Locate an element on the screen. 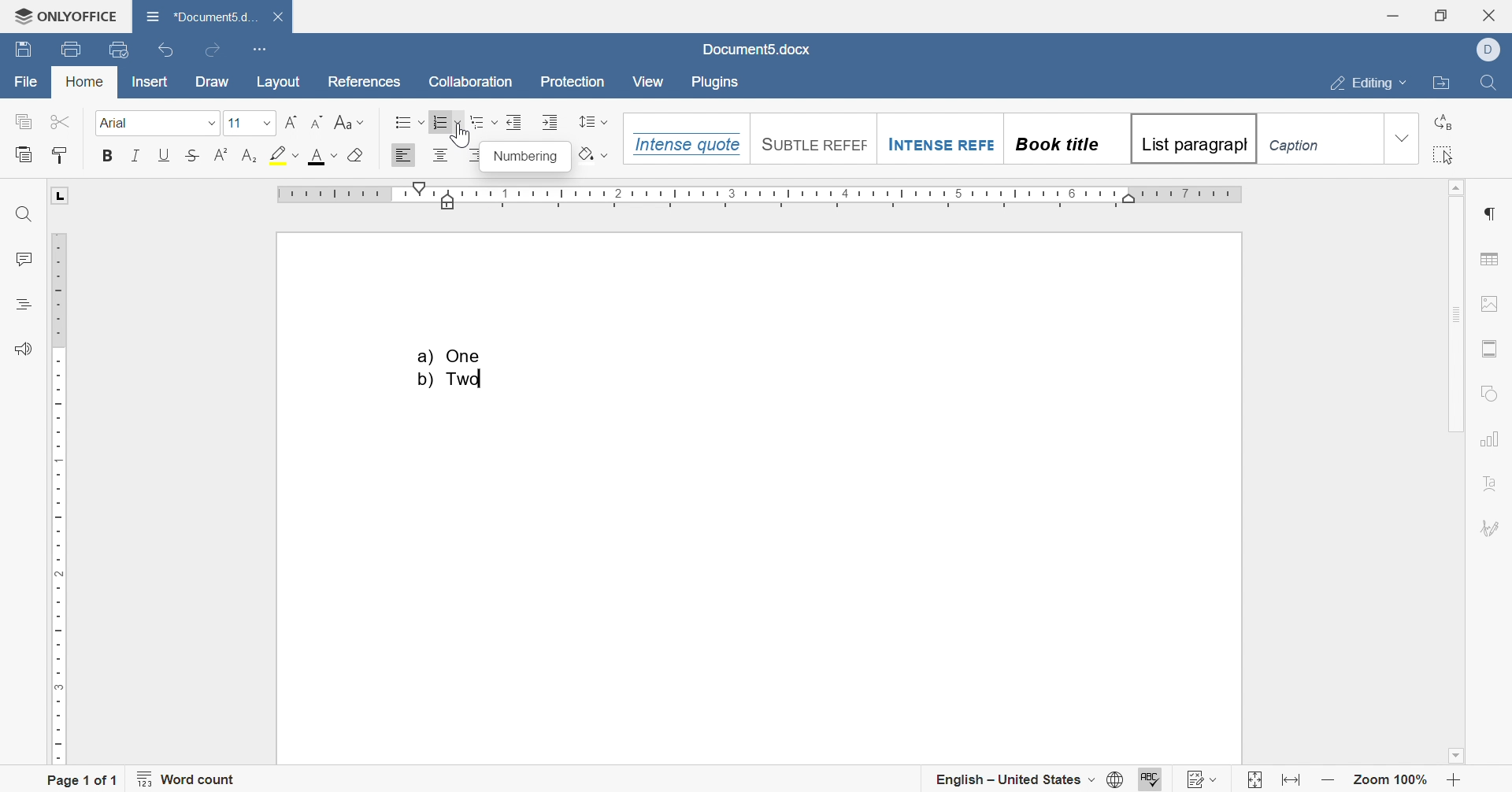  paragraph is located at coordinates (1487, 213).